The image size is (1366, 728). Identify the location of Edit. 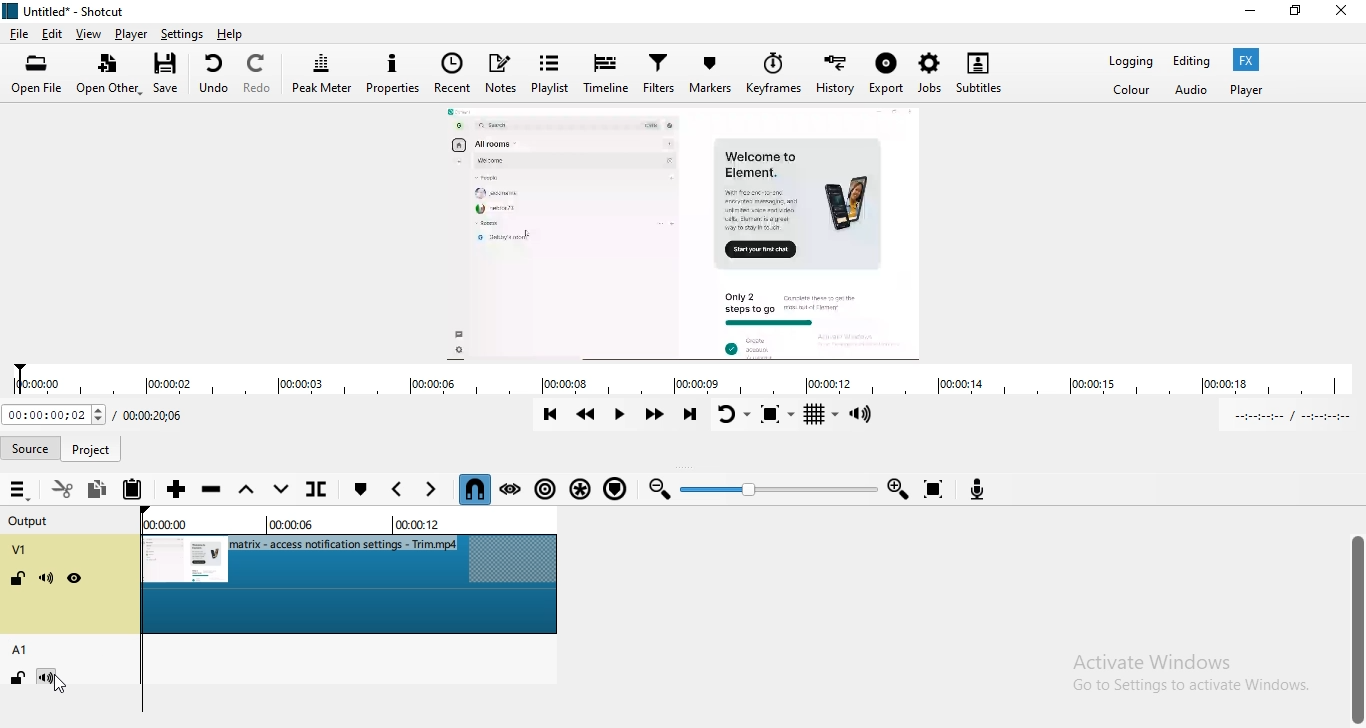
(52, 34).